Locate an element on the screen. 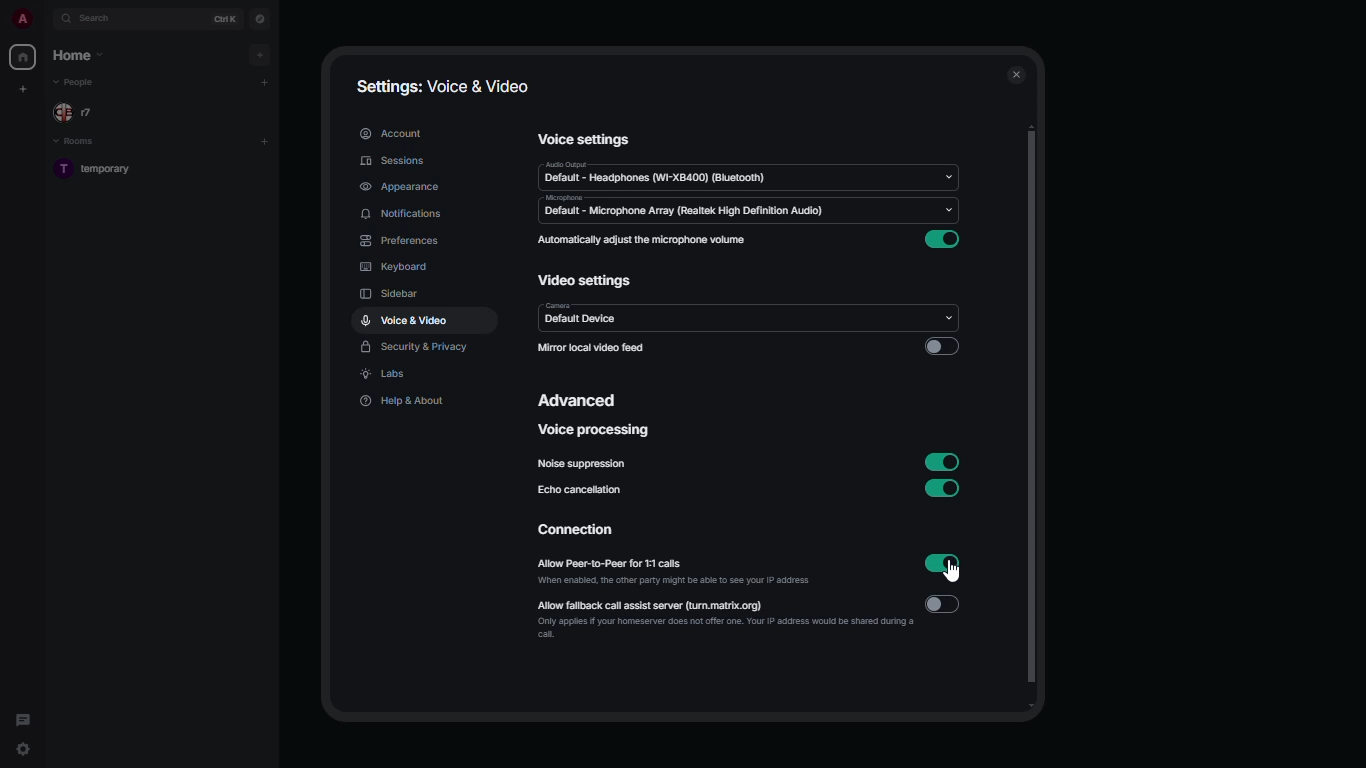 This screenshot has width=1366, height=768. quick settings is located at coordinates (22, 749).